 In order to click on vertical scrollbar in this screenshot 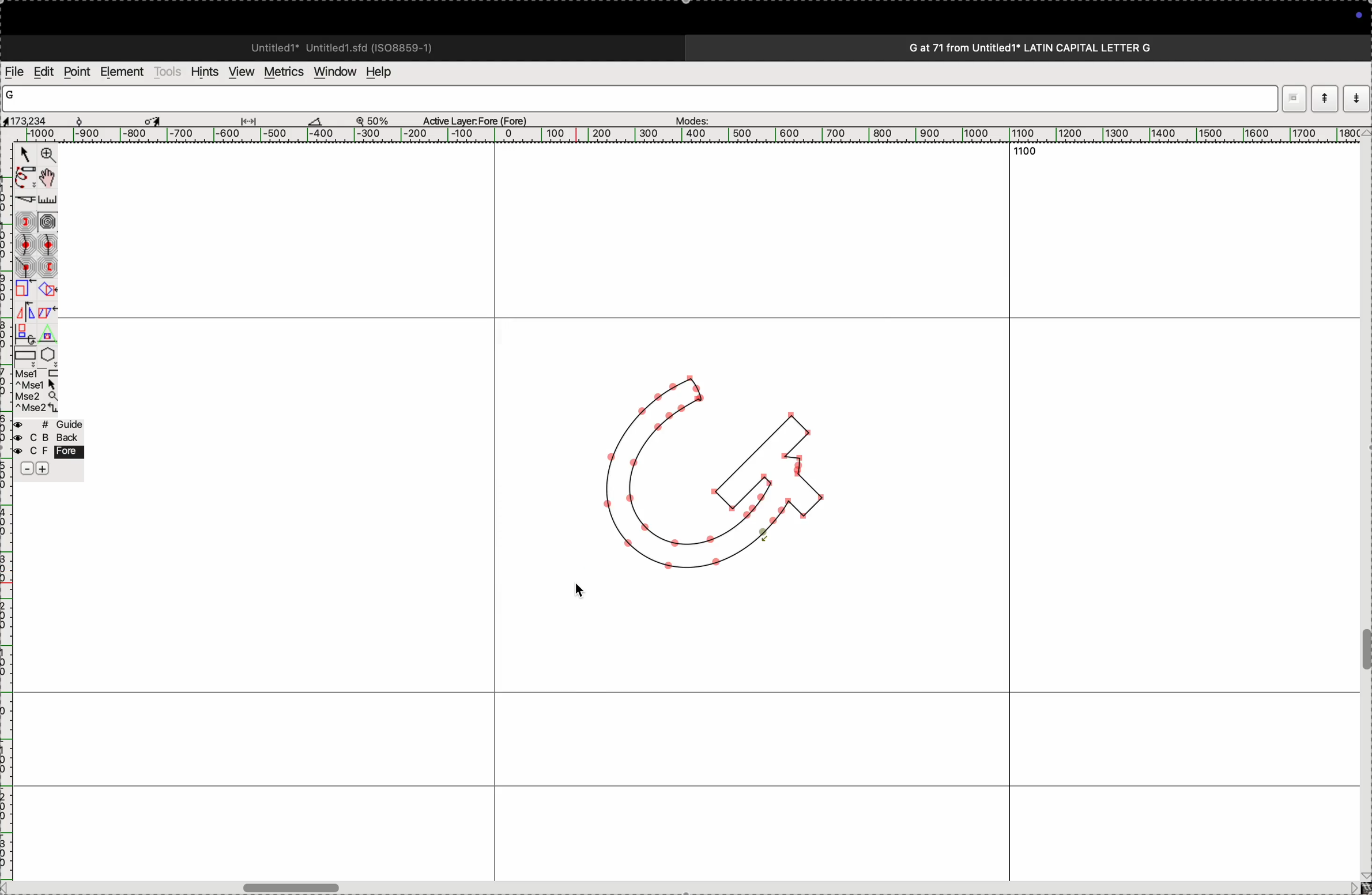, I will do `click(1363, 516)`.